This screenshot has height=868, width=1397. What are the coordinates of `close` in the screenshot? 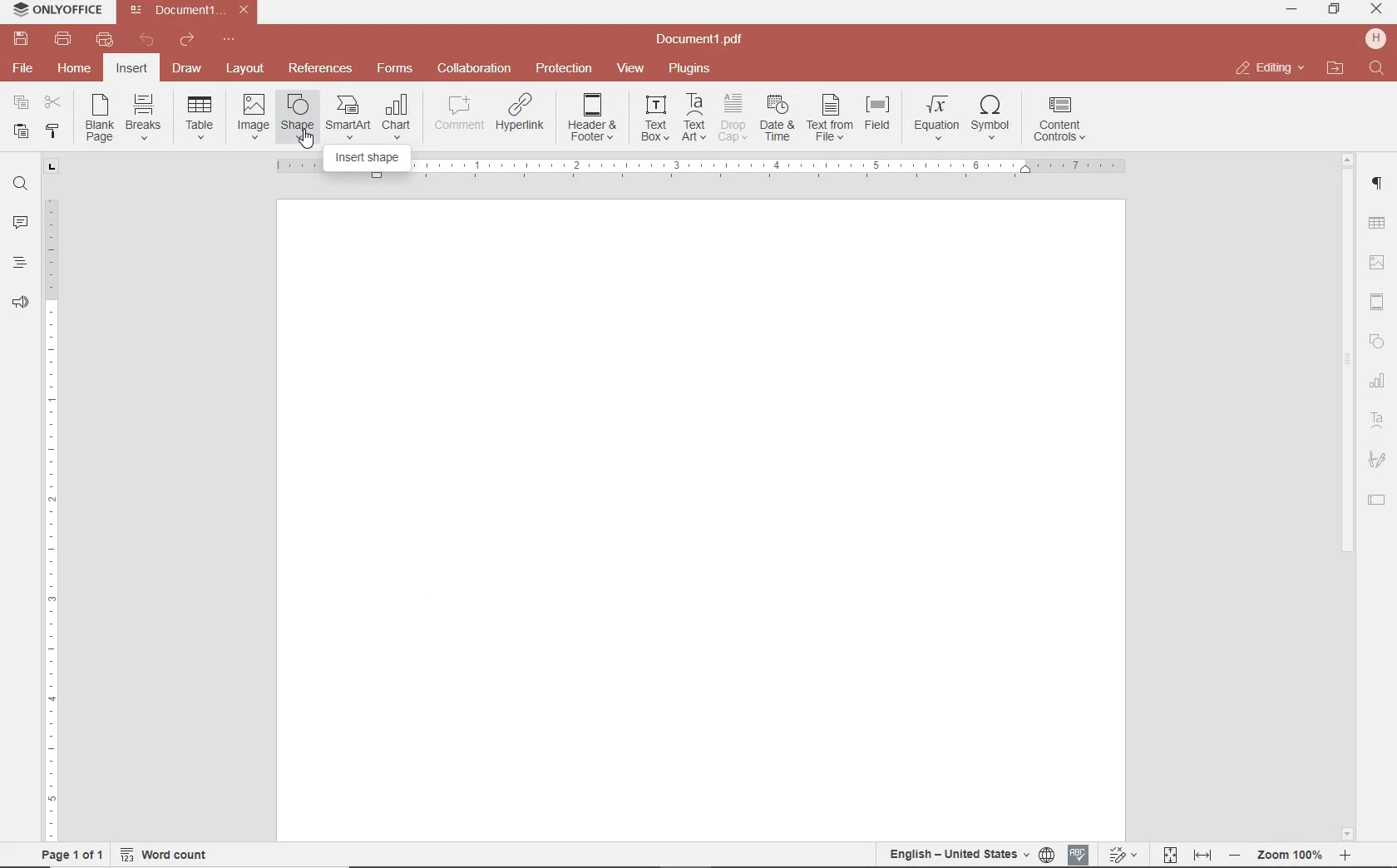 It's located at (1269, 68).